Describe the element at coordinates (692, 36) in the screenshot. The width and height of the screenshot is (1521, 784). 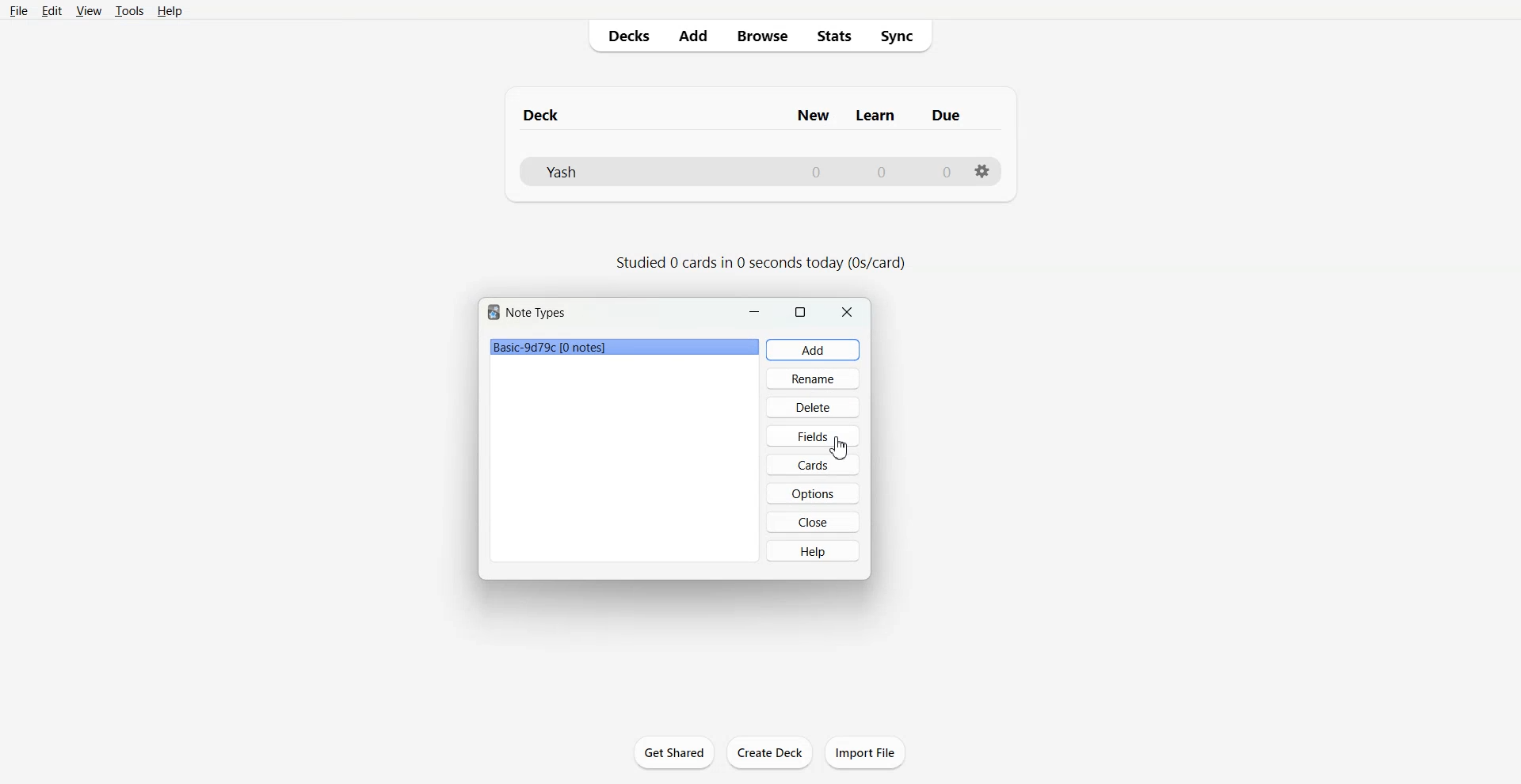
I see `Add` at that location.